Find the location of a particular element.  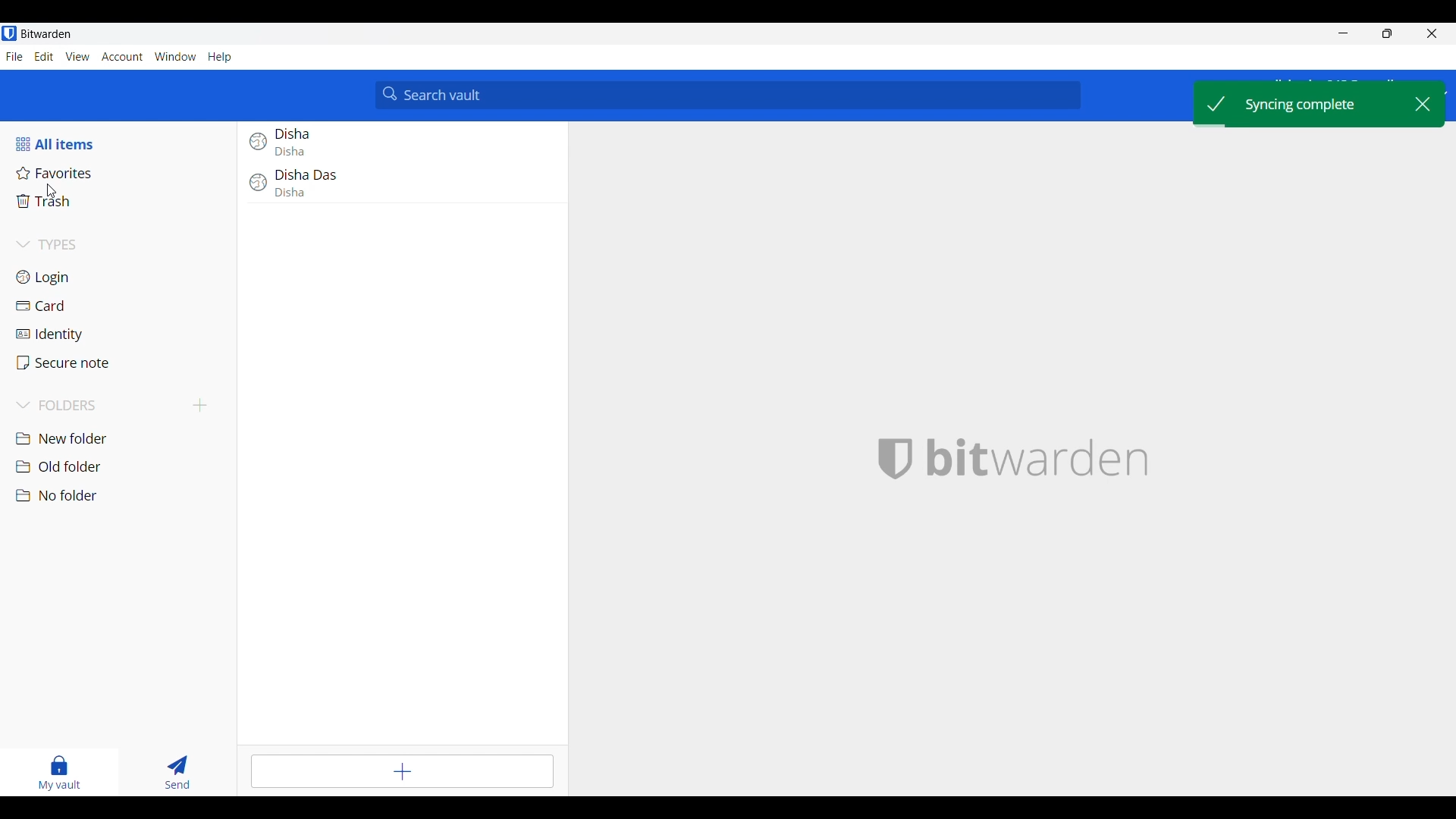

Help menu is located at coordinates (220, 58).